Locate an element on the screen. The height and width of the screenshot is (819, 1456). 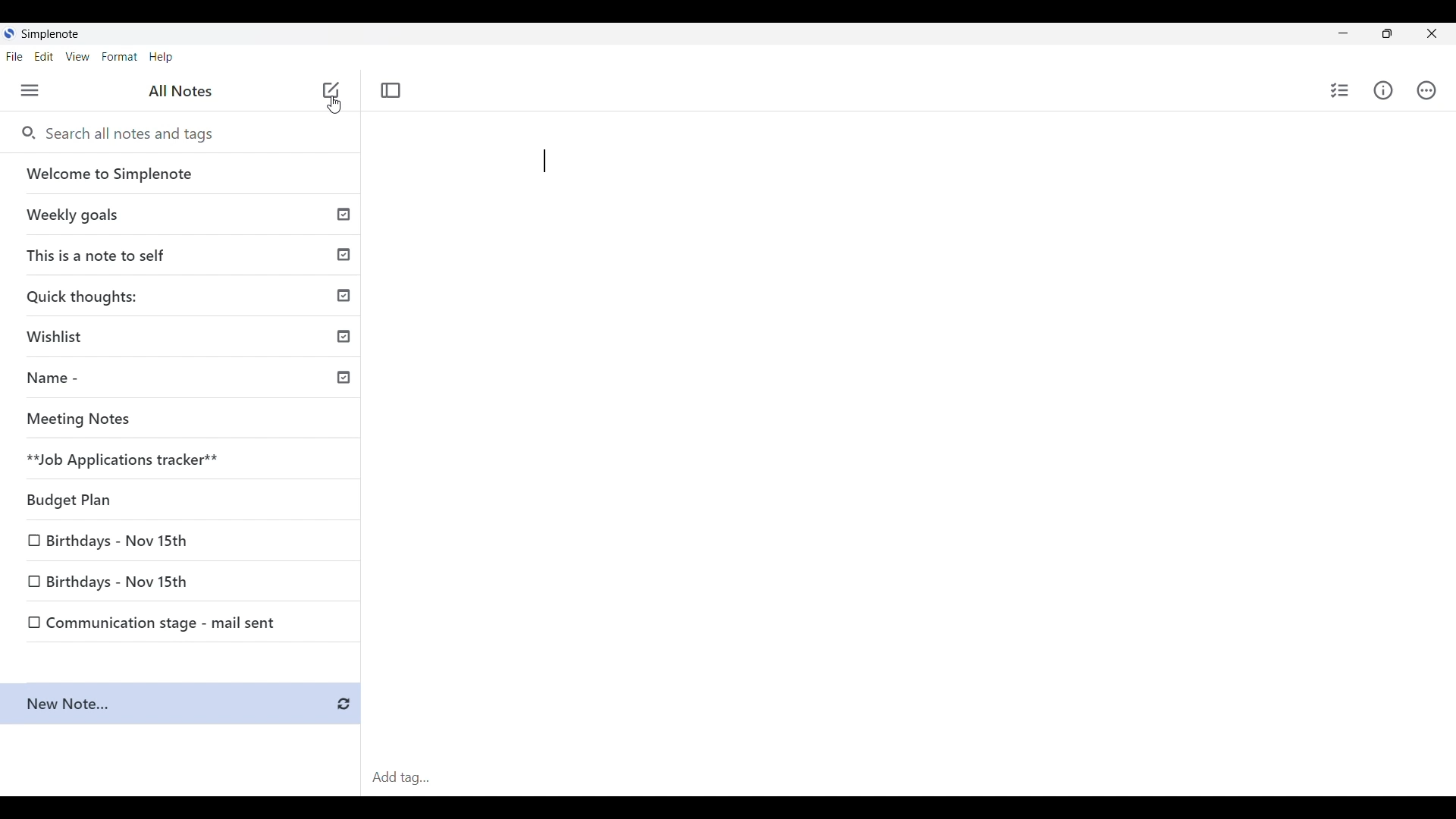
**Job Applications tracker** is located at coordinates (185, 460).